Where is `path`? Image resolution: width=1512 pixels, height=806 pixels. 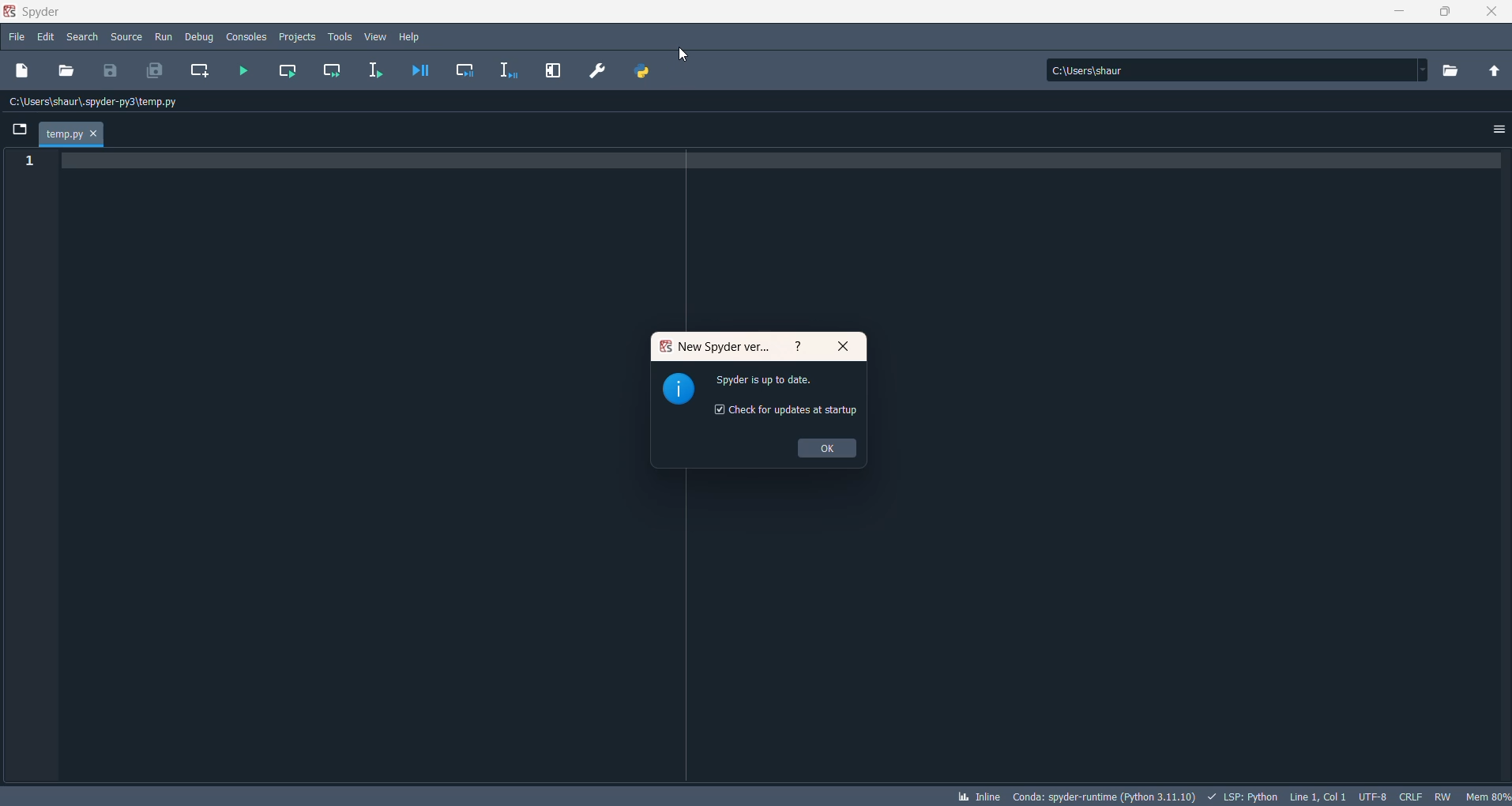
path is located at coordinates (1231, 70).